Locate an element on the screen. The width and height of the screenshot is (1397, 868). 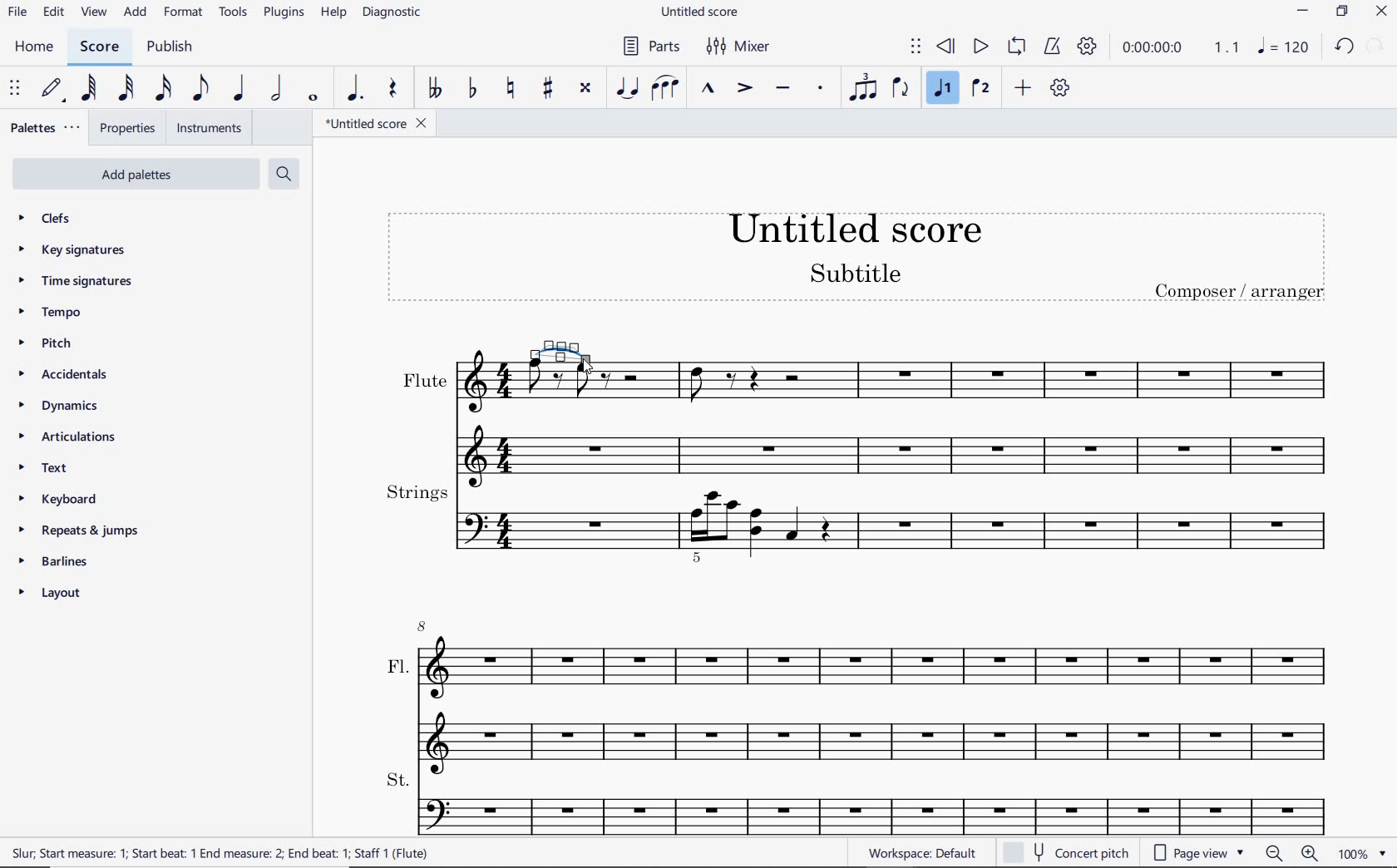
articulations is located at coordinates (68, 437).